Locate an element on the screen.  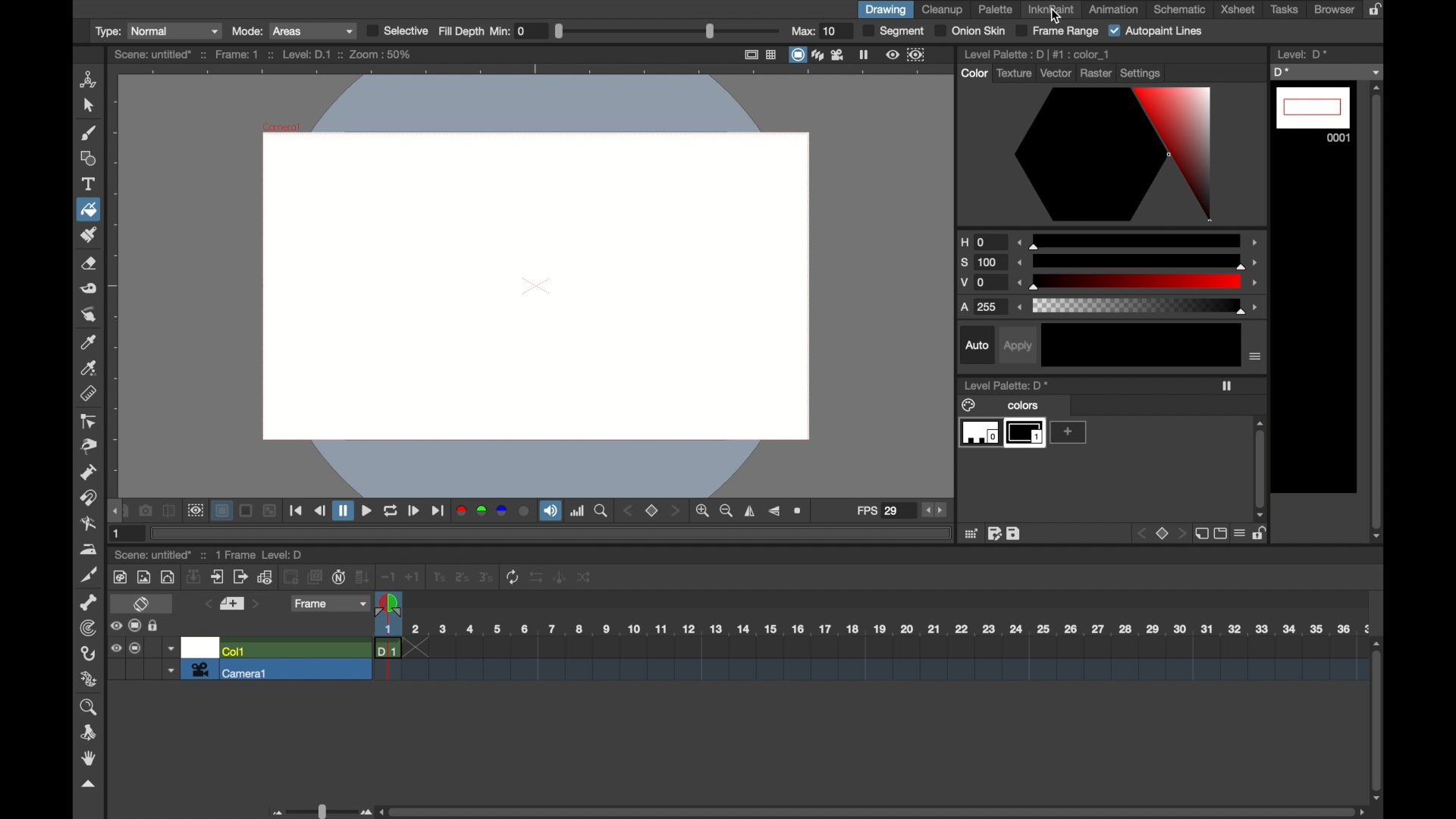
rgb picker tool is located at coordinates (89, 368).